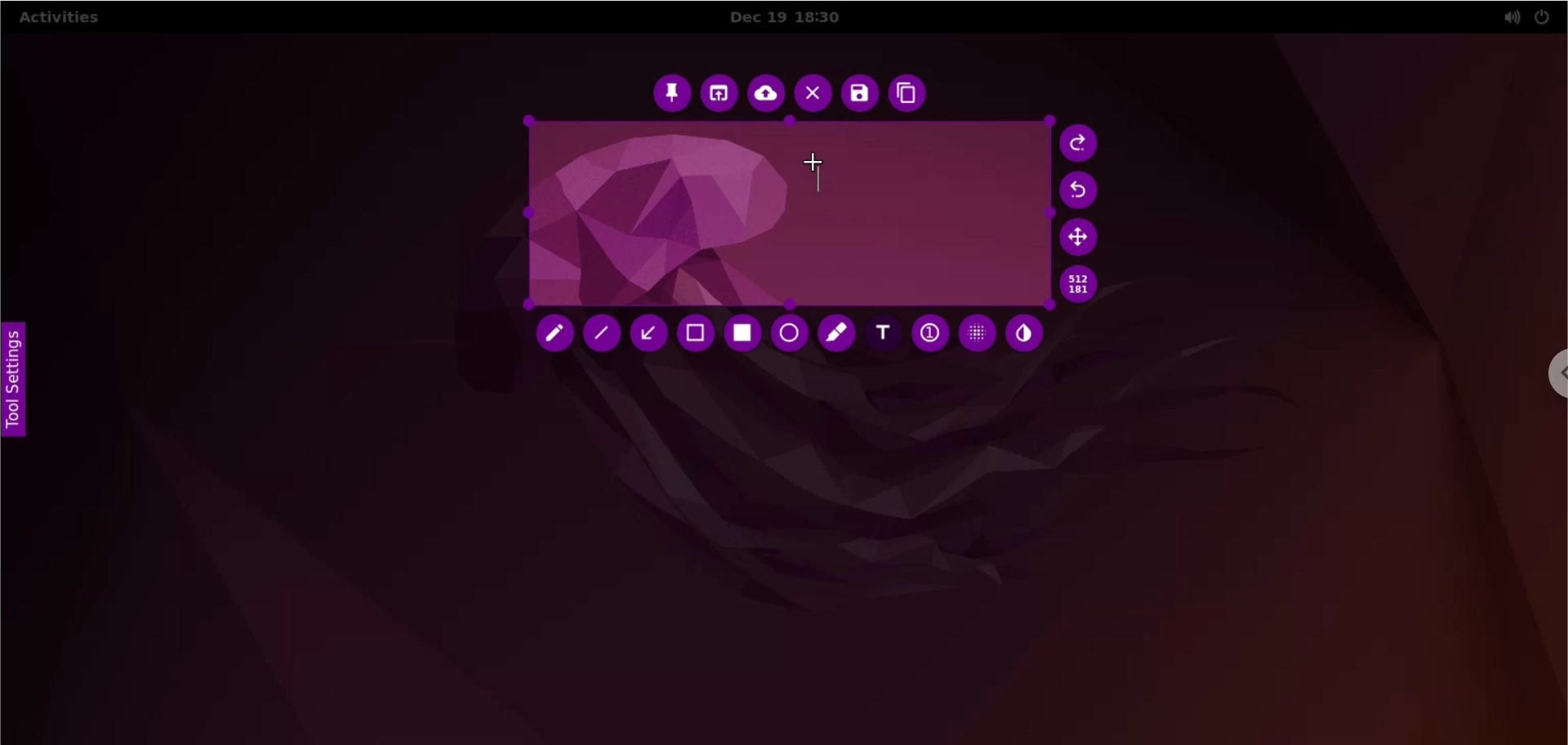 The height and width of the screenshot is (745, 1568). I want to click on chrome options, so click(1552, 373).